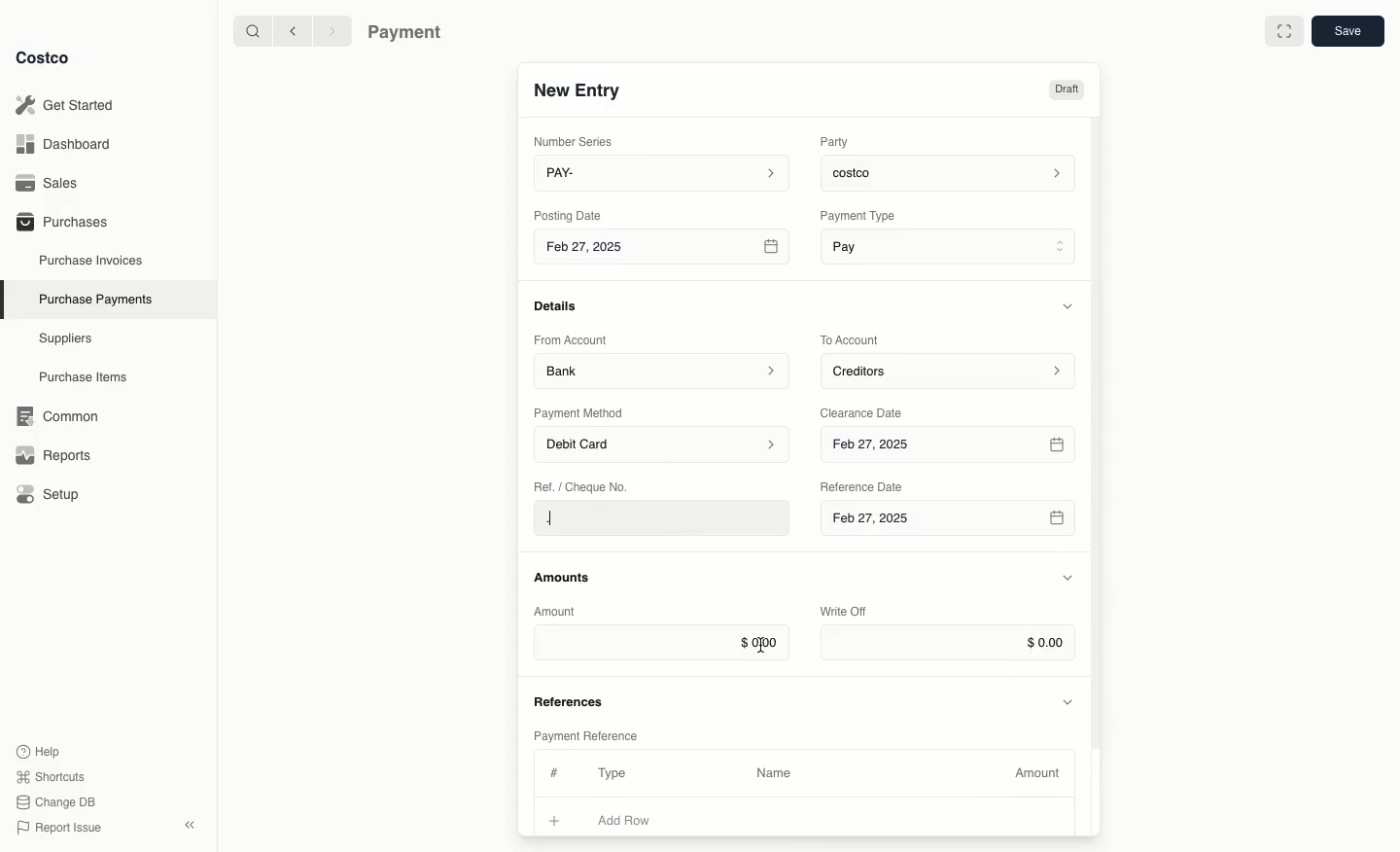 The image size is (1400, 852). Describe the element at coordinates (947, 523) in the screenshot. I see `Feb 27, 2025` at that location.